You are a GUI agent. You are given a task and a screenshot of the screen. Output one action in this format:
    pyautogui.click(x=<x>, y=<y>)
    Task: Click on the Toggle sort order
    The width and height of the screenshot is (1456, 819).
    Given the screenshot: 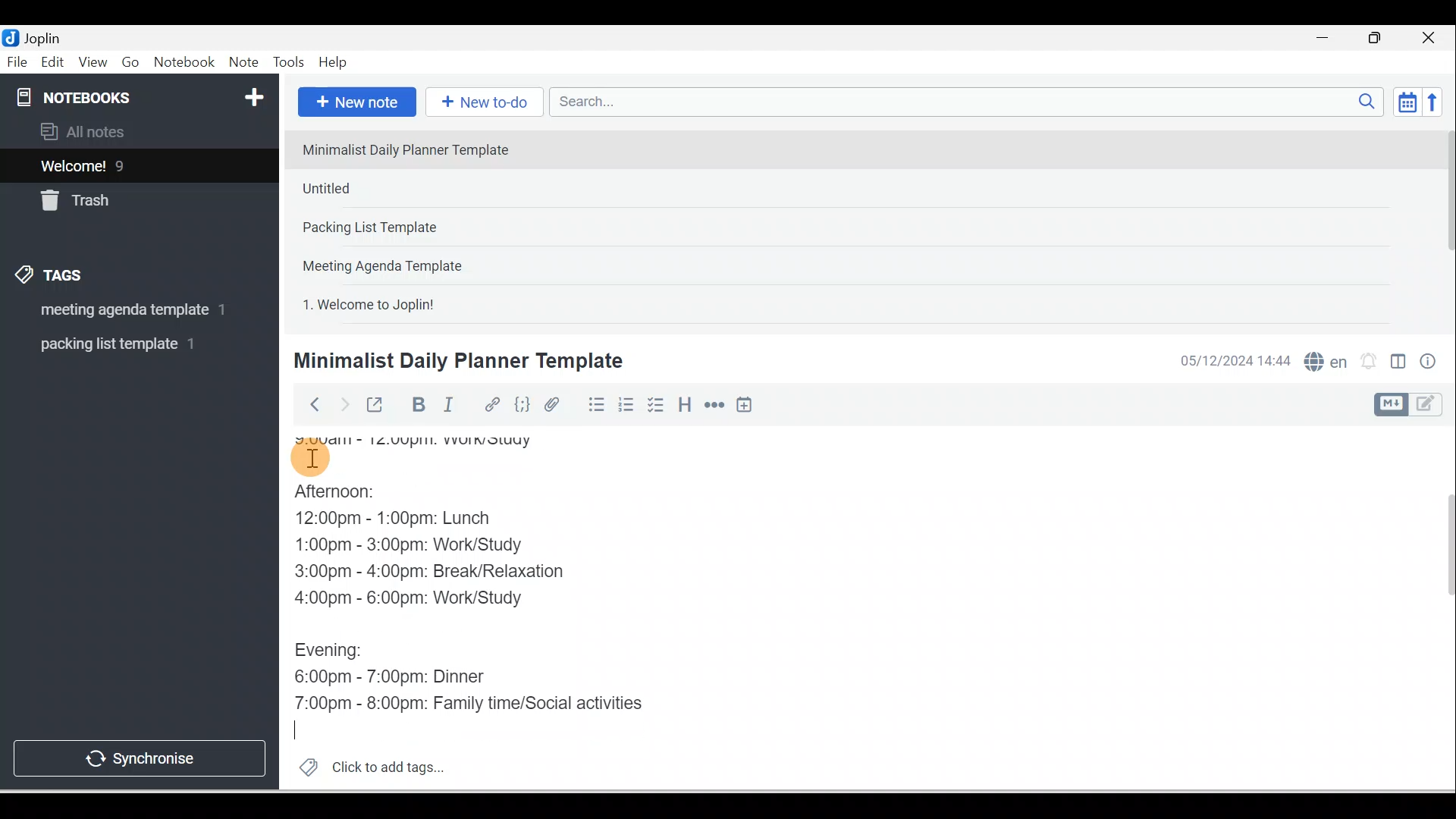 What is the action you would take?
    pyautogui.click(x=1407, y=101)
    